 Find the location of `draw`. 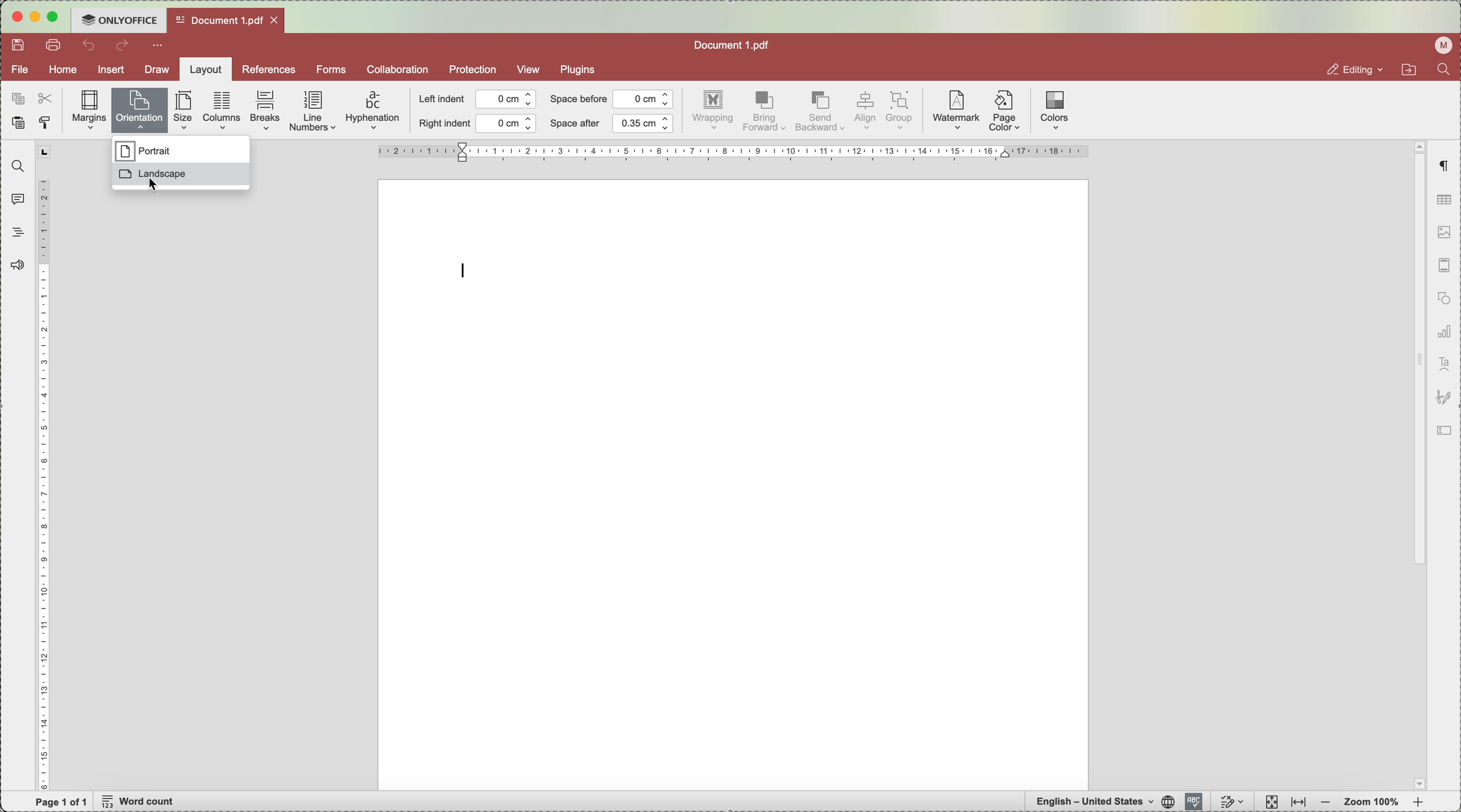

draw is located at coordinates (153, 70).